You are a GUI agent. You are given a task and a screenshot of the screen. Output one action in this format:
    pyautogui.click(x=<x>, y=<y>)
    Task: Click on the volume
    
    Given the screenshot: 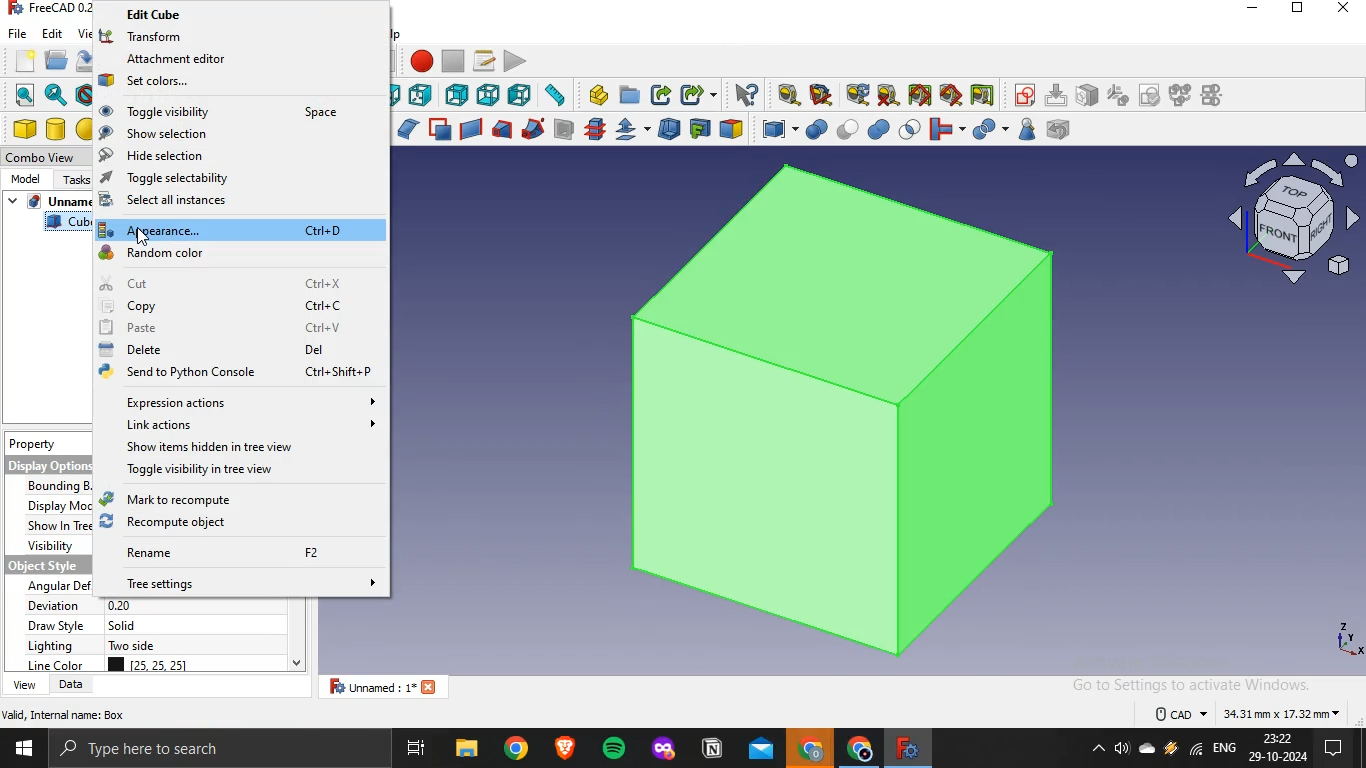 What is the action you would take?
    pyautogui.click(x=1121, y=750)
    